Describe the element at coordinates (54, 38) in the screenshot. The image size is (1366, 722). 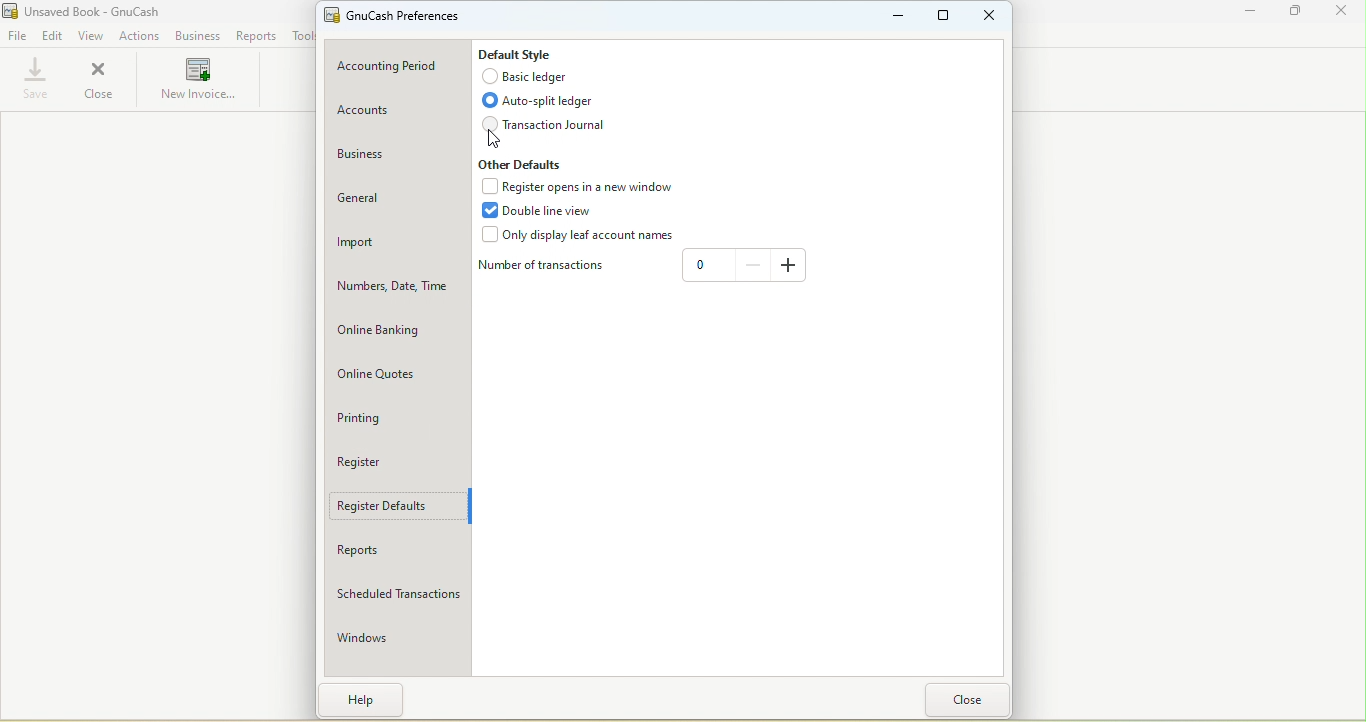
I see `Edit` at that location.